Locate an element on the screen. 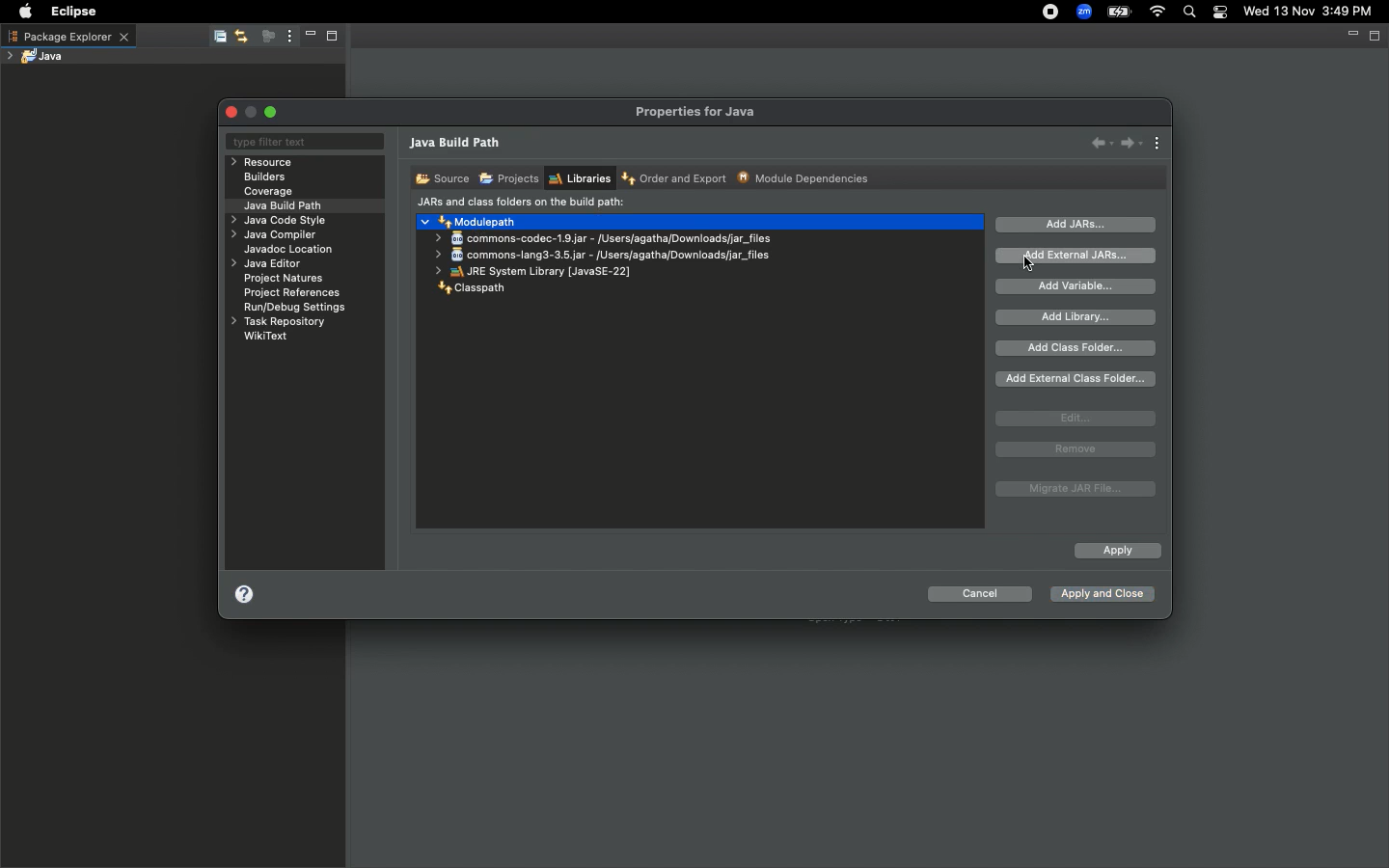 This screenshot has width=1389, height=868. RuryDebug is located at coordinates (295, 310).